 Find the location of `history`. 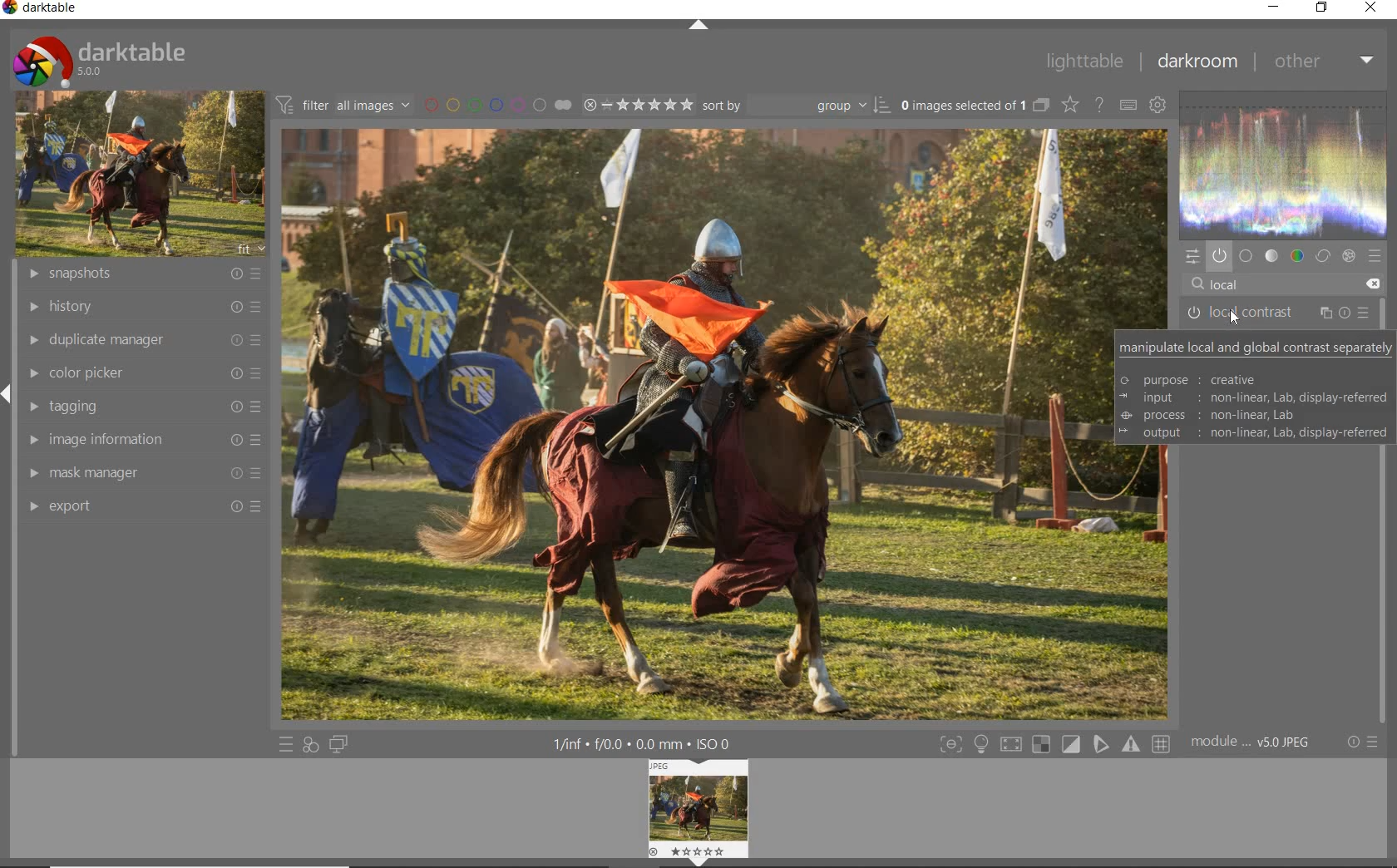

history is located at coordinates (143, 306).